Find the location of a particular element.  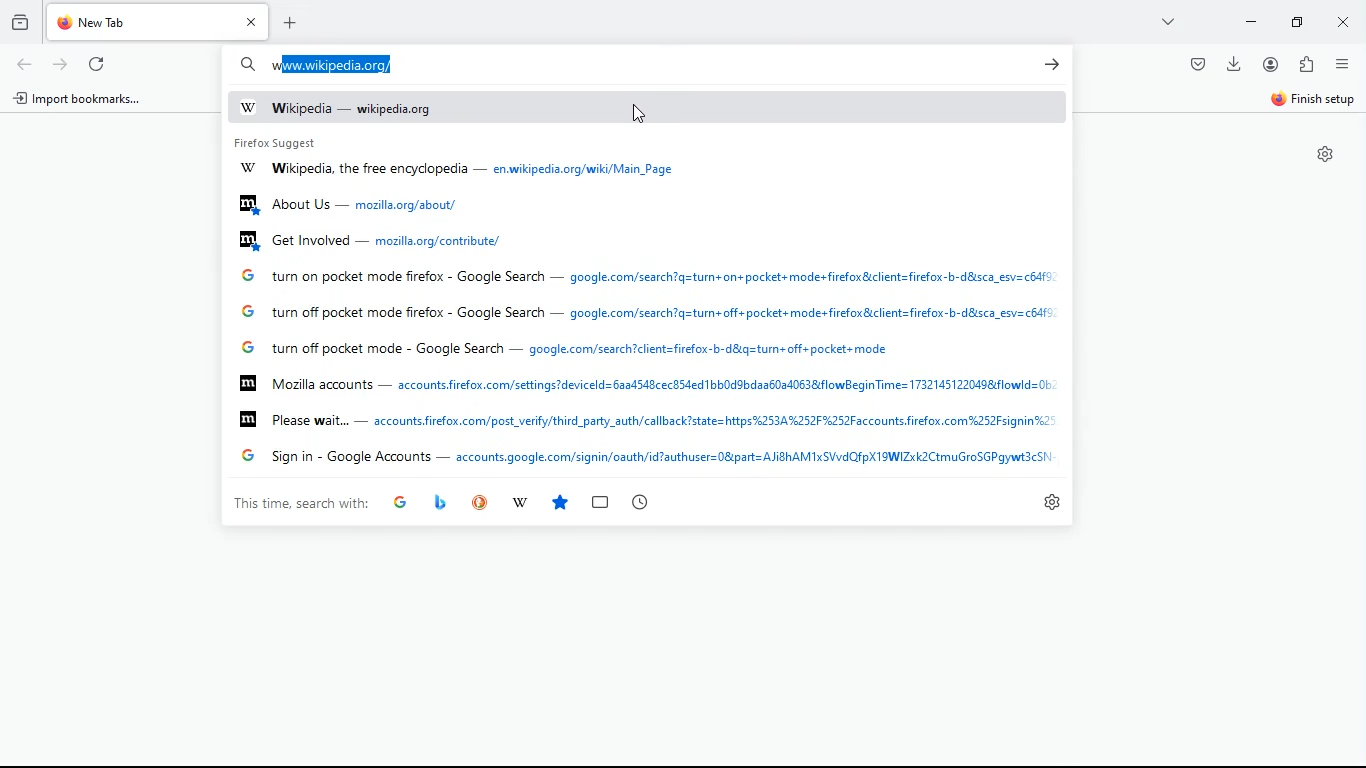

Search bar is located at coordinates (249, 65).